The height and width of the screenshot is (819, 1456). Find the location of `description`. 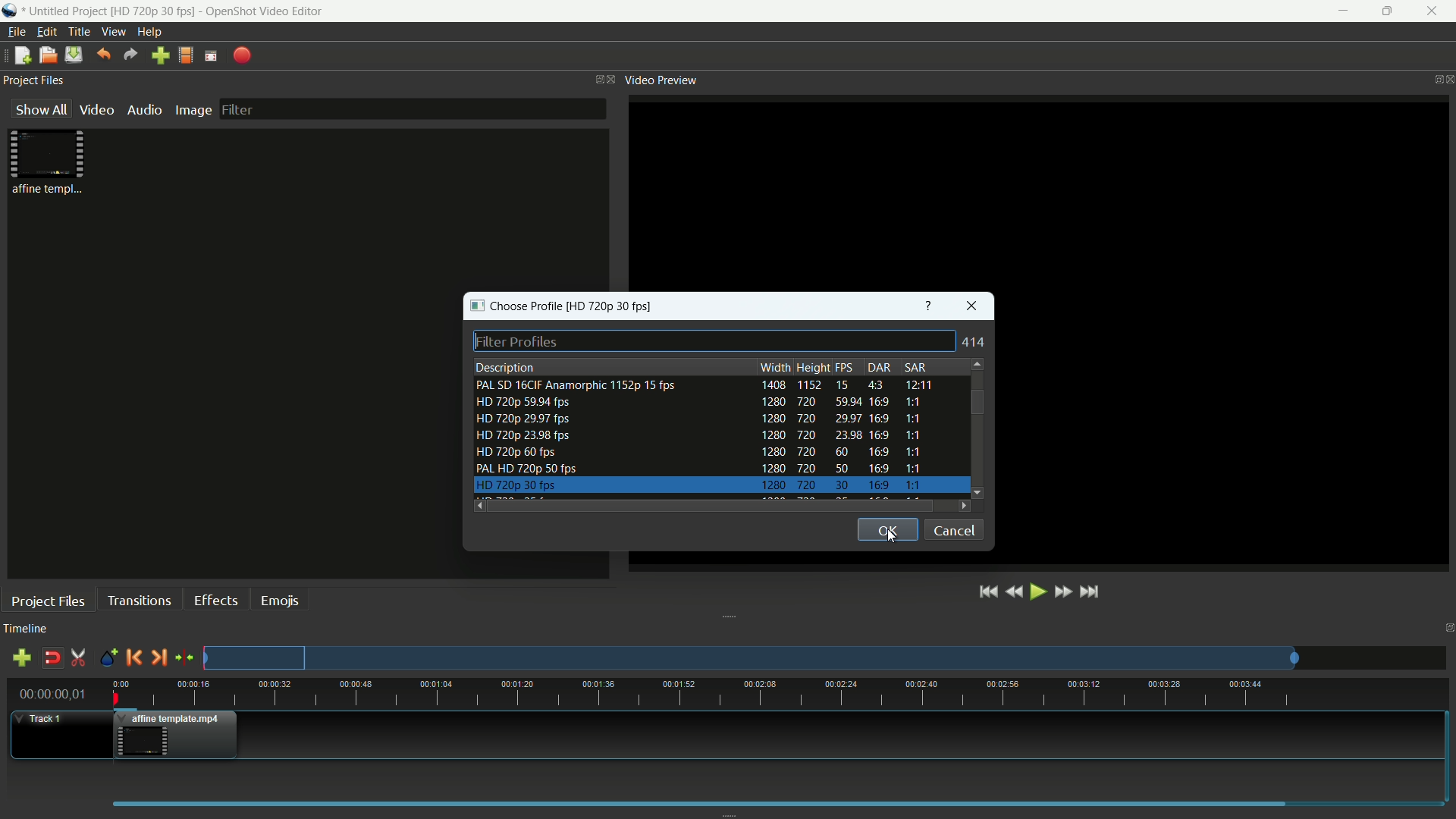

description is located at coordinates (504, 367).